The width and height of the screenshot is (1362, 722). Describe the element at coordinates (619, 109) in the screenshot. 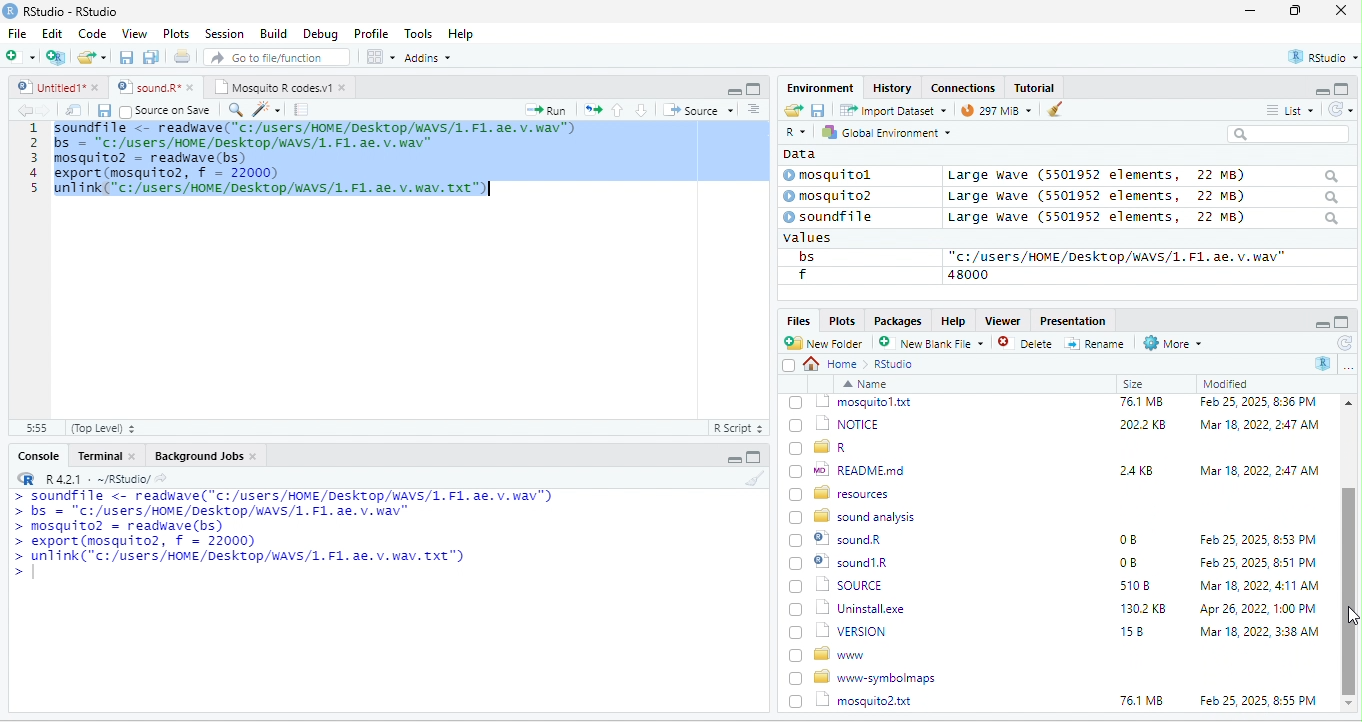

I see `up` at that location.